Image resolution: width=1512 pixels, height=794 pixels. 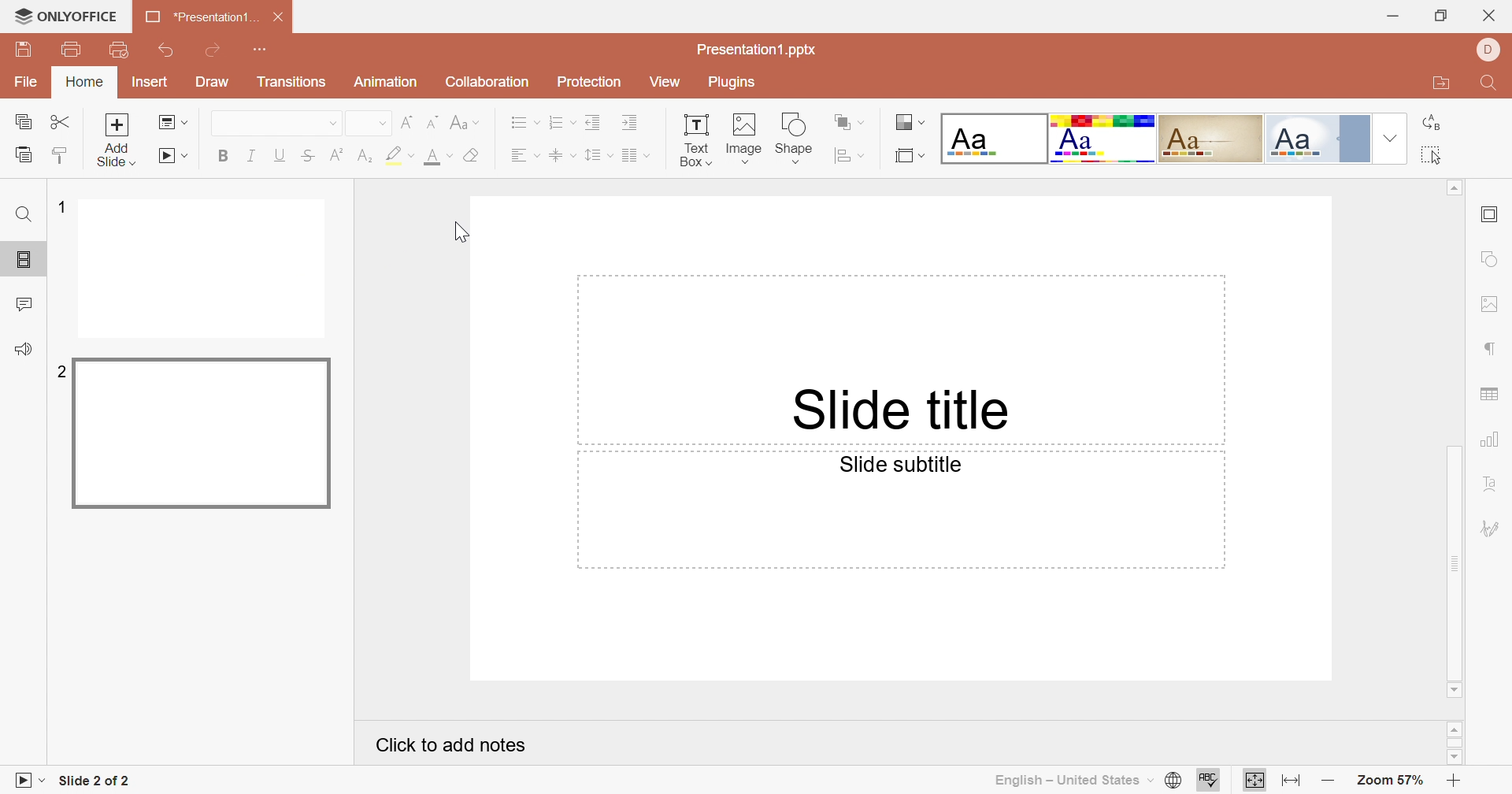 What do you see at coordinates (1104, 139) in the screenshot?
I see `Basic` at bounding box center [1104, 139].